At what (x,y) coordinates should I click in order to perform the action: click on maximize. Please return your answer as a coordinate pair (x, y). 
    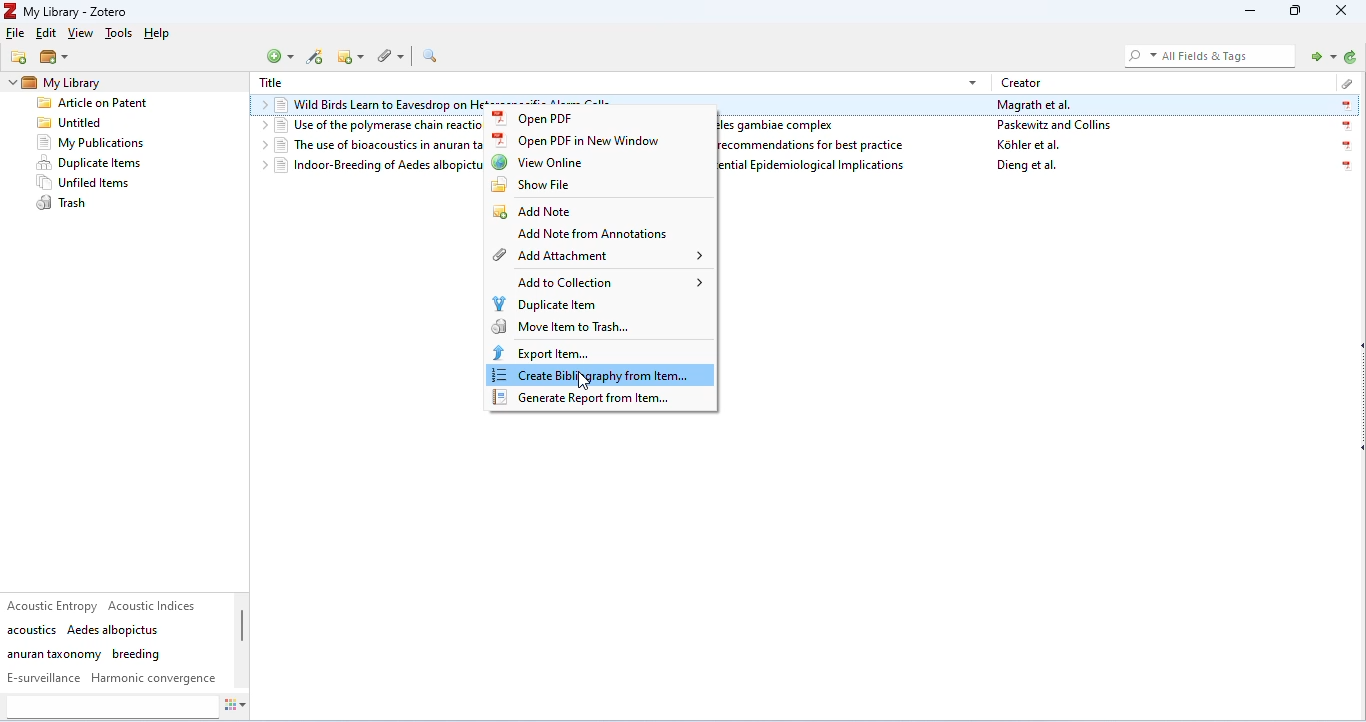
    Looking at the image, I should click on (1296, 12).